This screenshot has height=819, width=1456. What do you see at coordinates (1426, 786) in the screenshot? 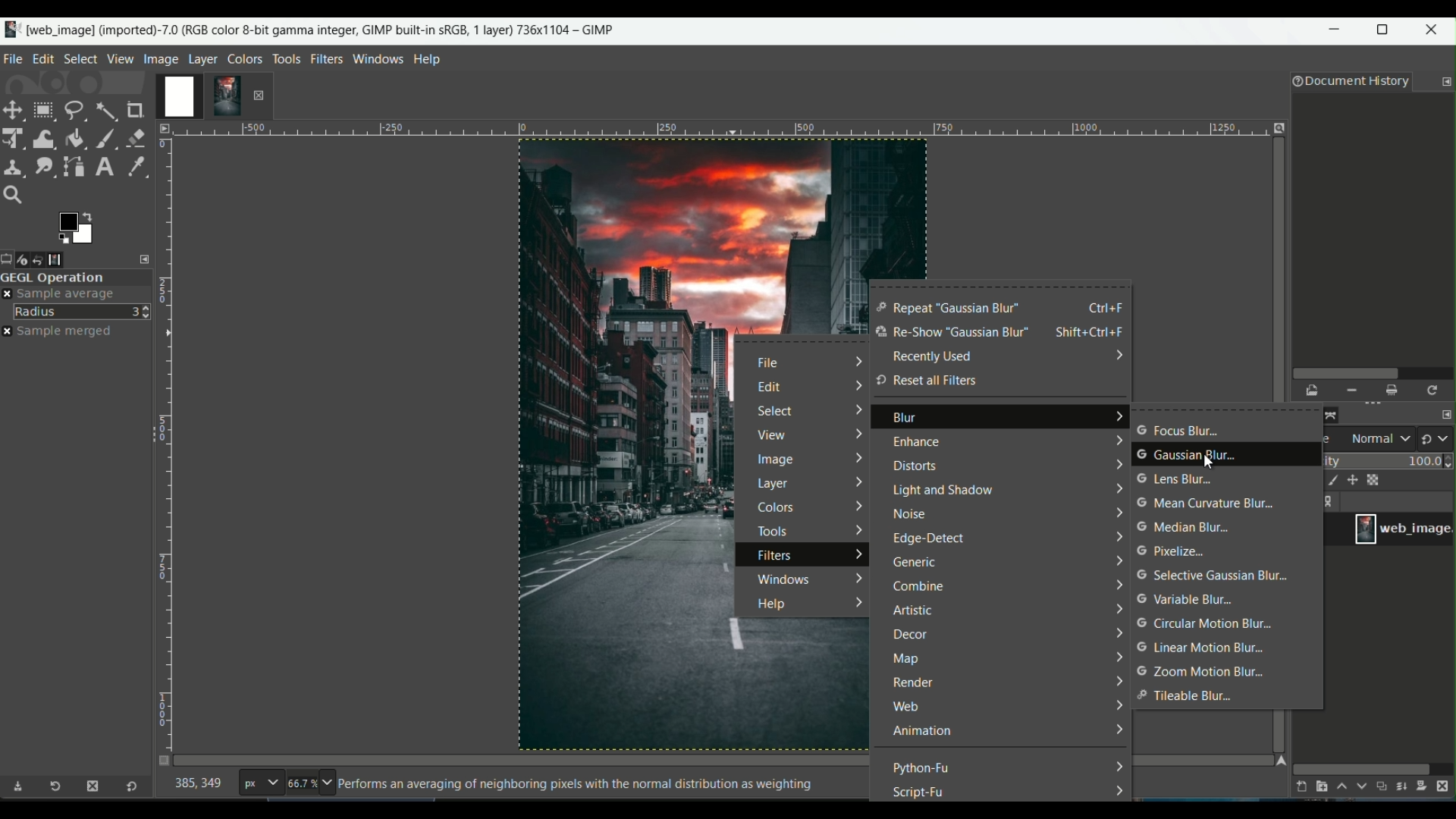
I see `add a mask` at bounding box center [1426, 786].